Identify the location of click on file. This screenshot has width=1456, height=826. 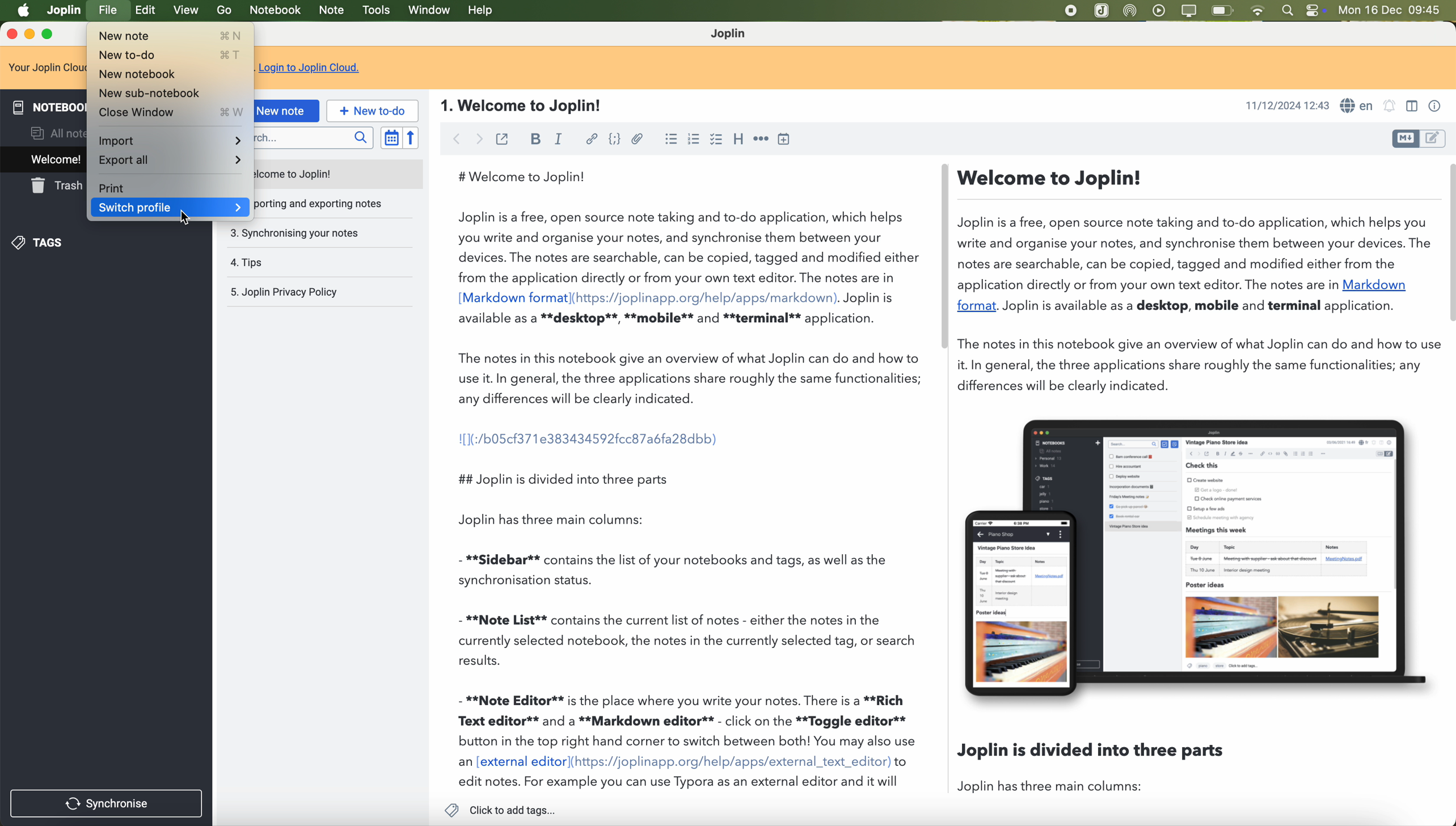
(109, 12).